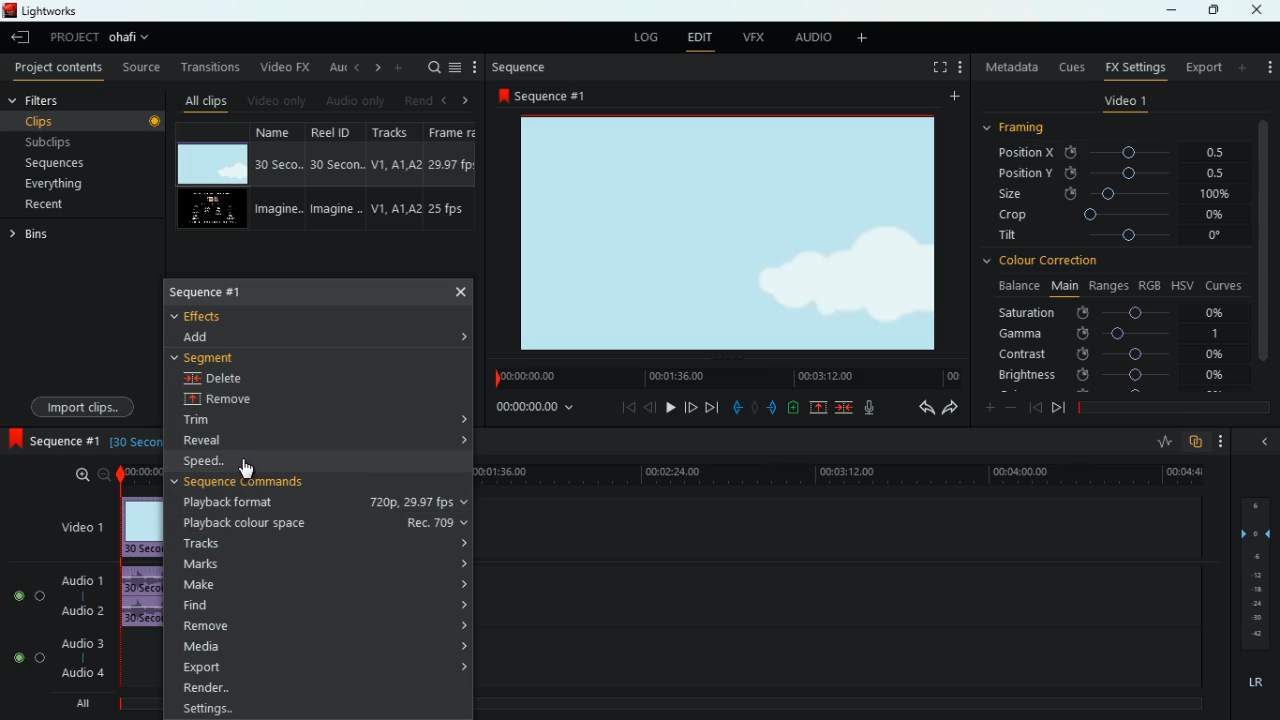  I want to click on audio, so click(138, 596).